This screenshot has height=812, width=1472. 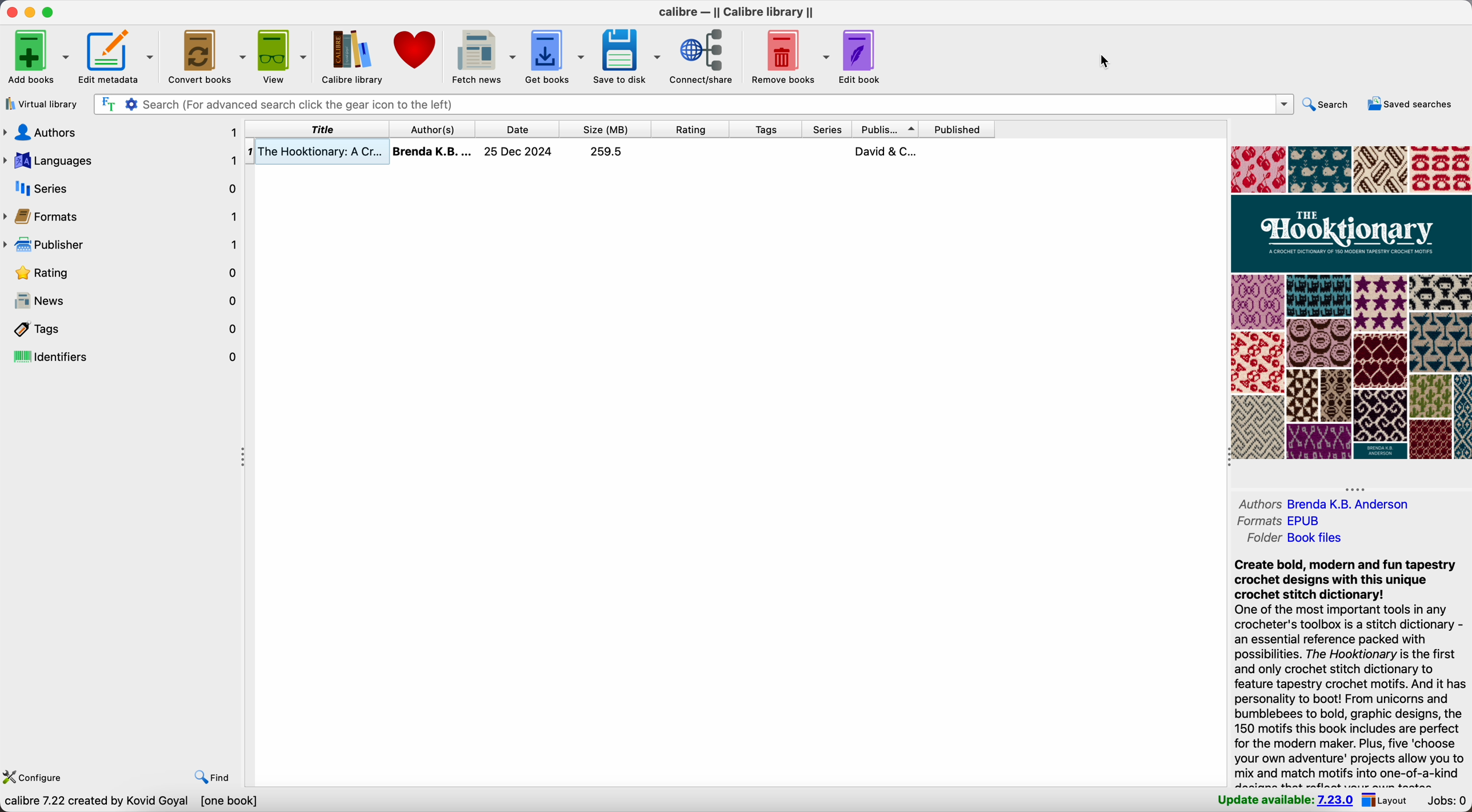 I want to click on remove books, so click(x=790, y=55).